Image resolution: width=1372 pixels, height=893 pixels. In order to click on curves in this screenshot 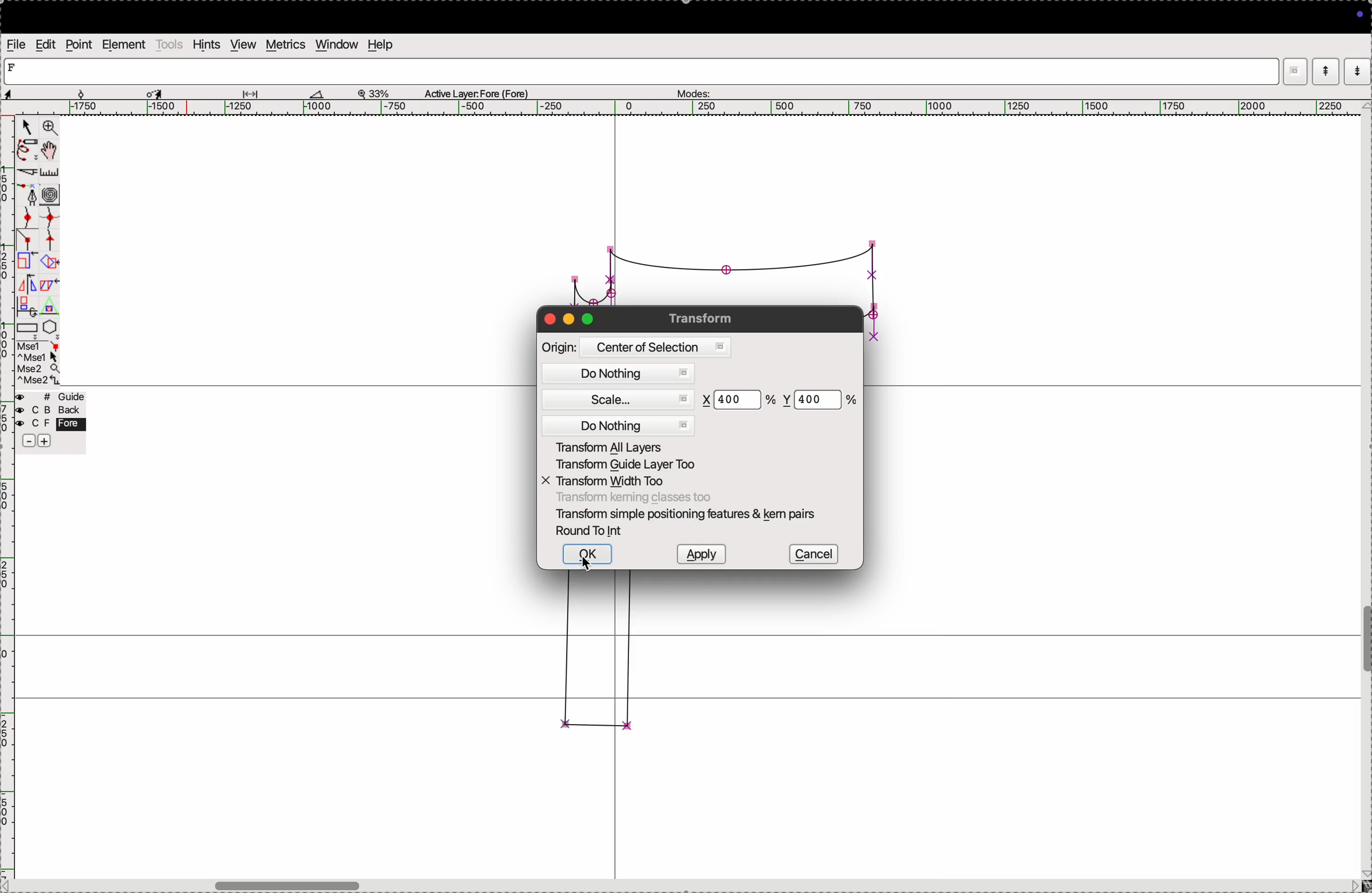, I will do `click(51, 196)`.